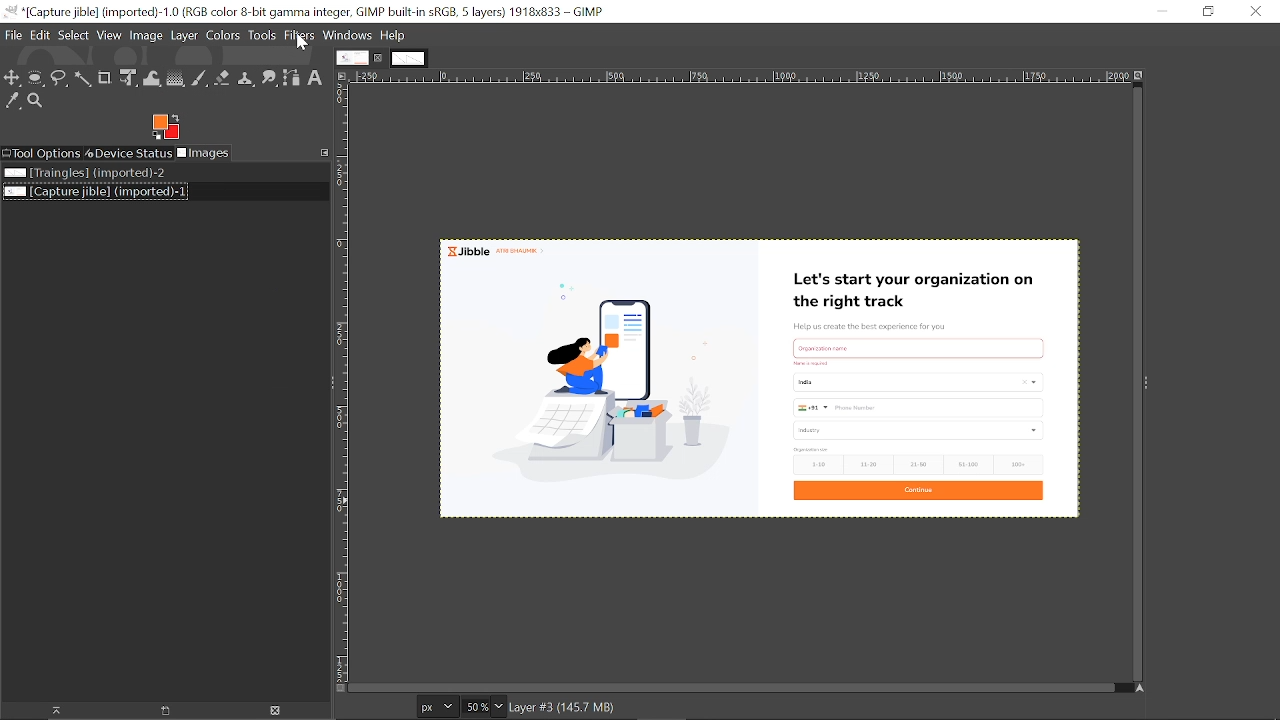 The image size is (1280, 720). Describe the element at coordinates (13, 79) in the screenshot. I see `Move tool` at that location.